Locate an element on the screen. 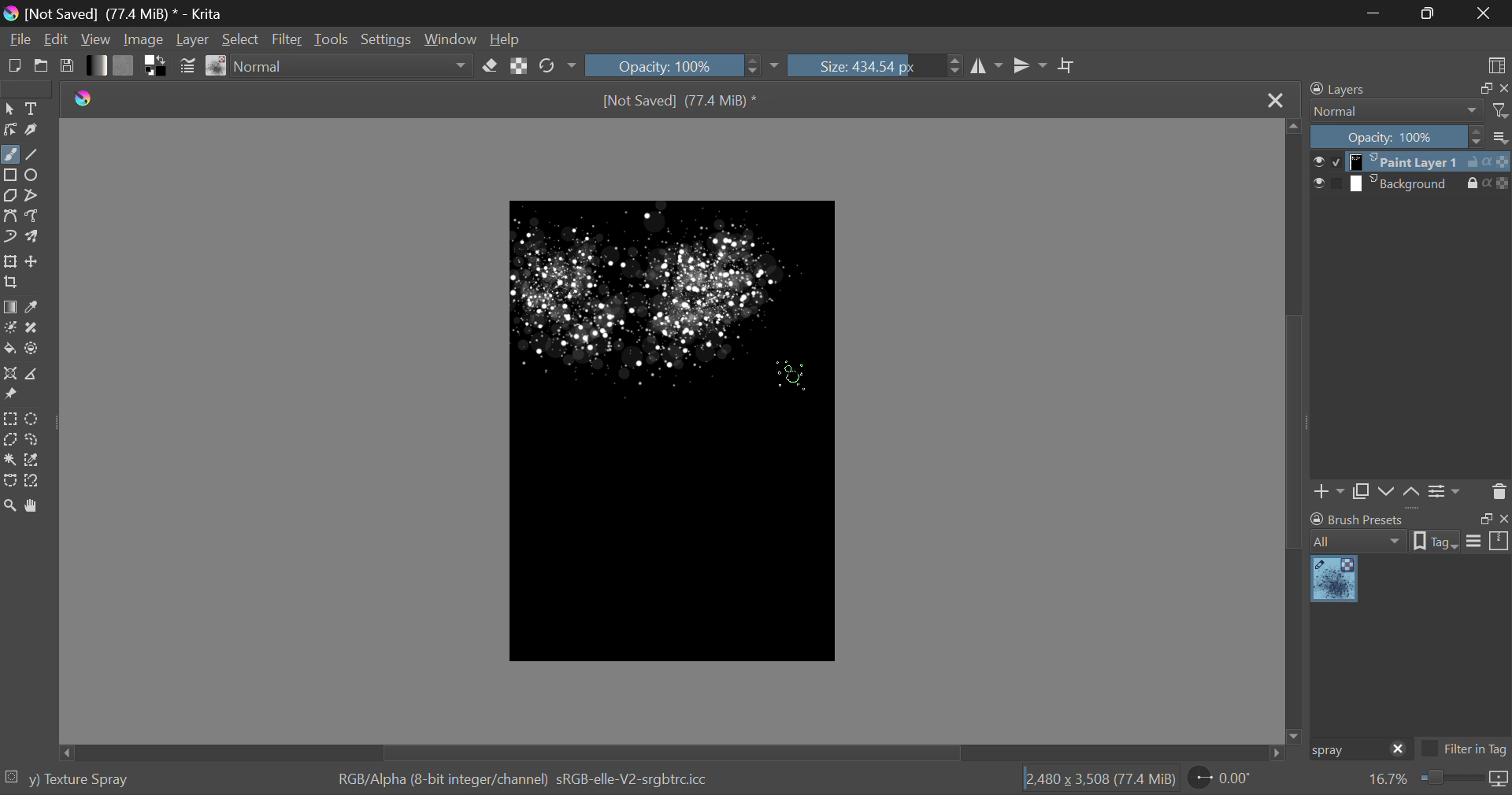  Layers is located at coordinates (1347, 88).